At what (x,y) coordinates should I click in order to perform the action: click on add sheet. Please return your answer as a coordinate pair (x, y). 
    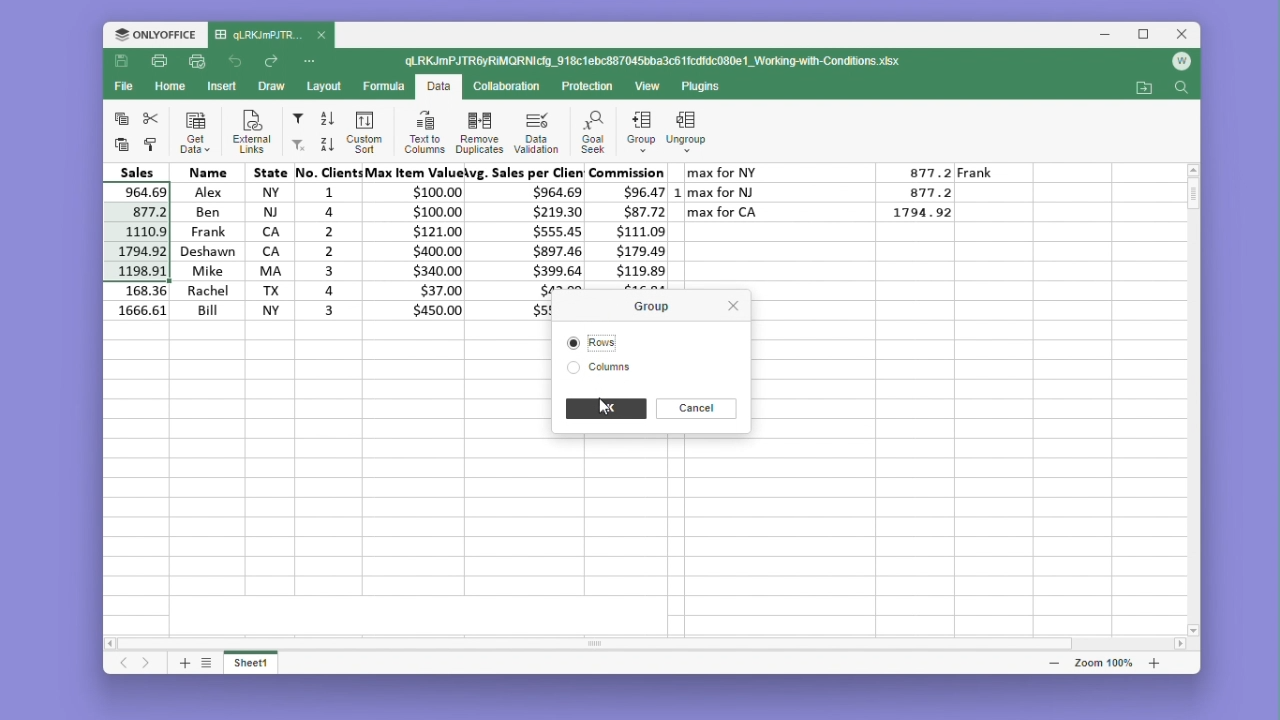
    Looking at the image, I should click on (183, 662).